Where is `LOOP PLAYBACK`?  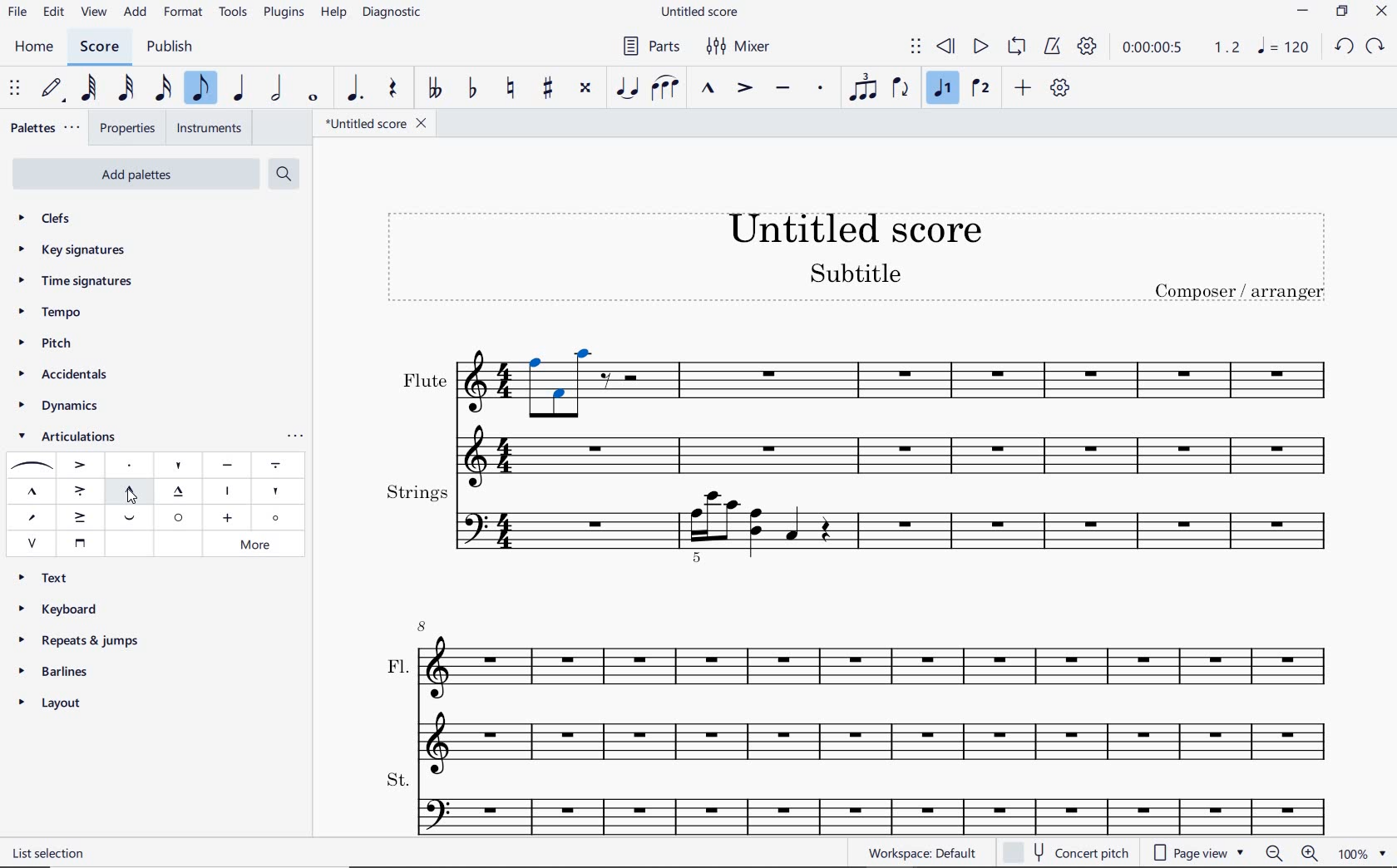
LOOP PLAYBACK is located at coordinates (1016, 47).